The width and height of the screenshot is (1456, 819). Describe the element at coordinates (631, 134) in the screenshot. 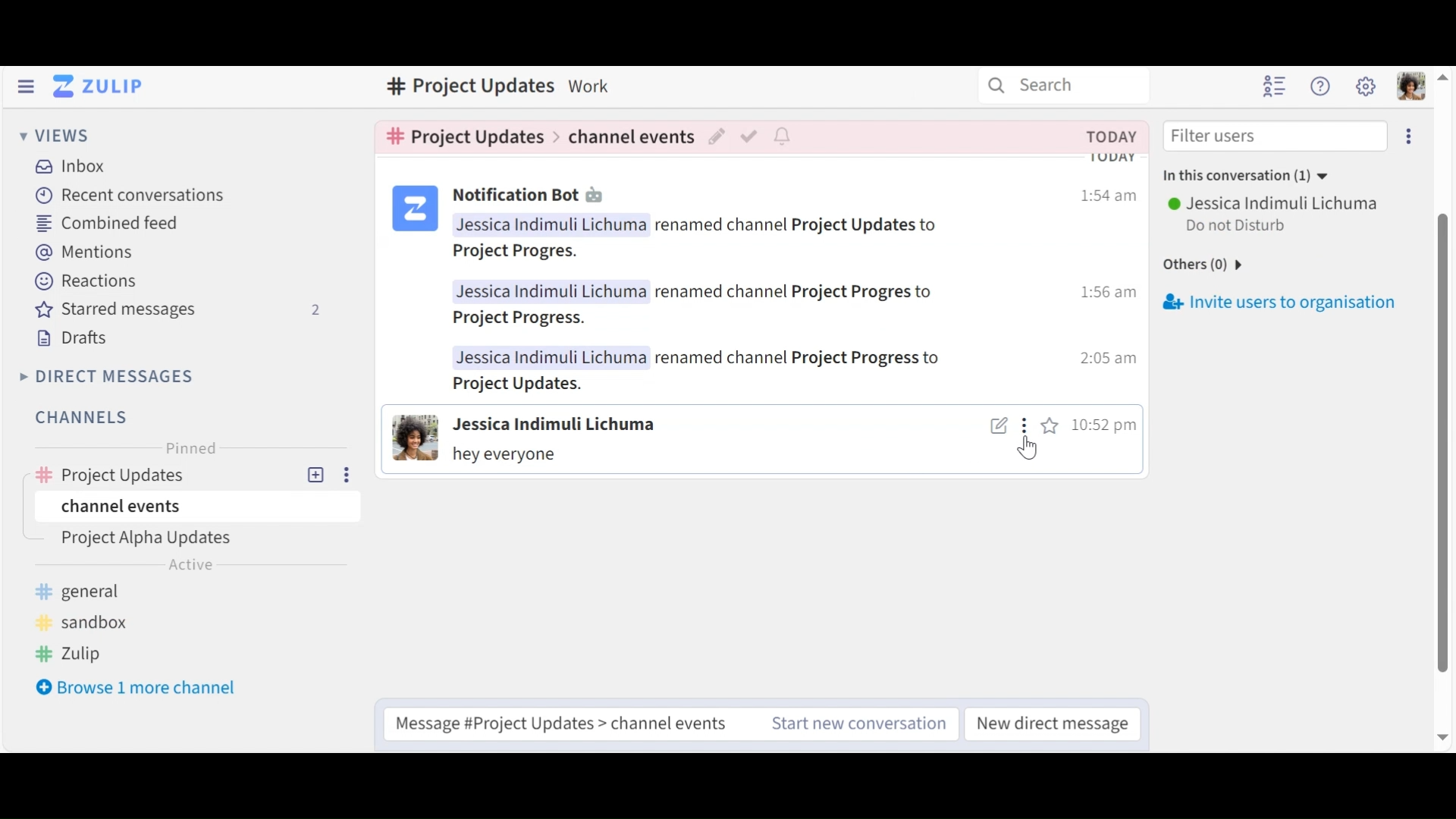

I see `Channel events` at that location.